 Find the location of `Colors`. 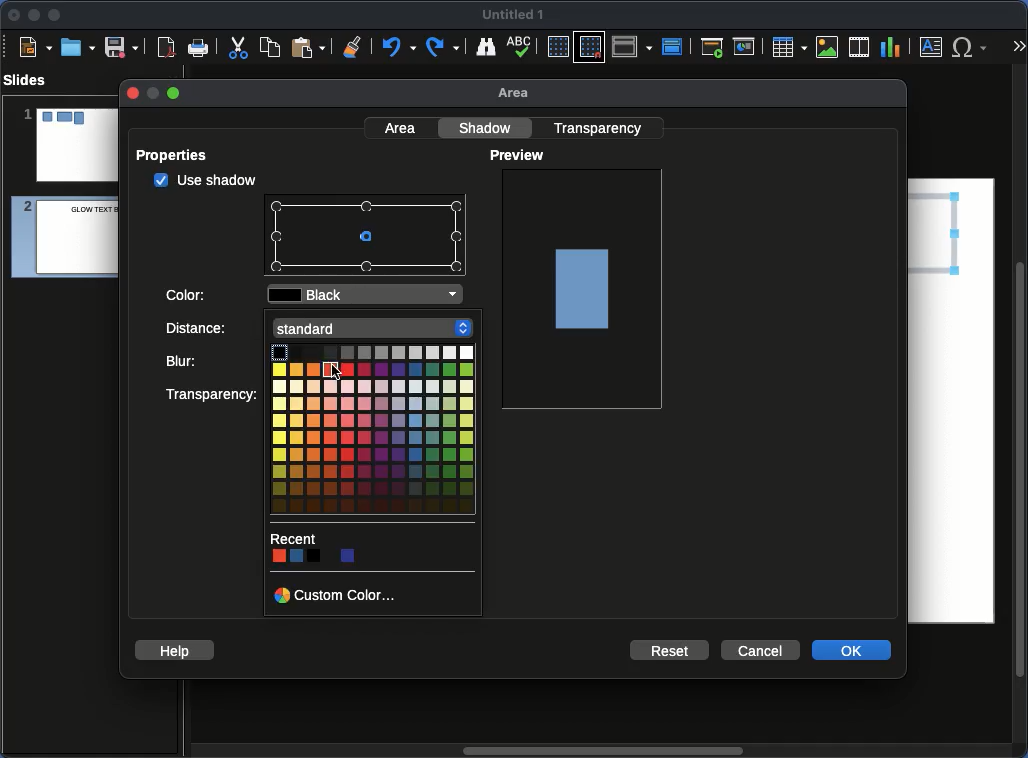

Colors is located at coordinates (318, 556).